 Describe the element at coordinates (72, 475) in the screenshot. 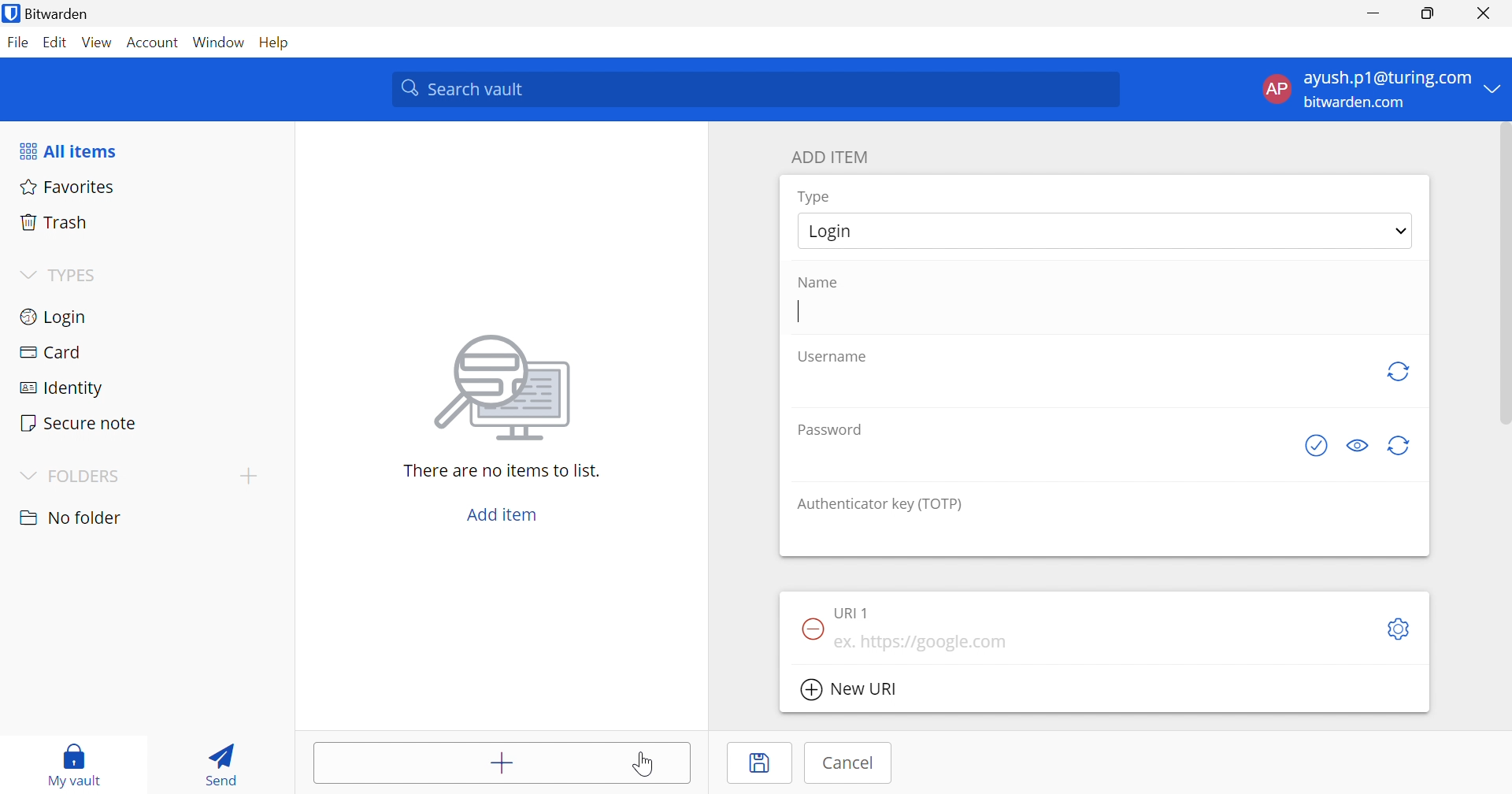

I see `FOLDERS` at that location.